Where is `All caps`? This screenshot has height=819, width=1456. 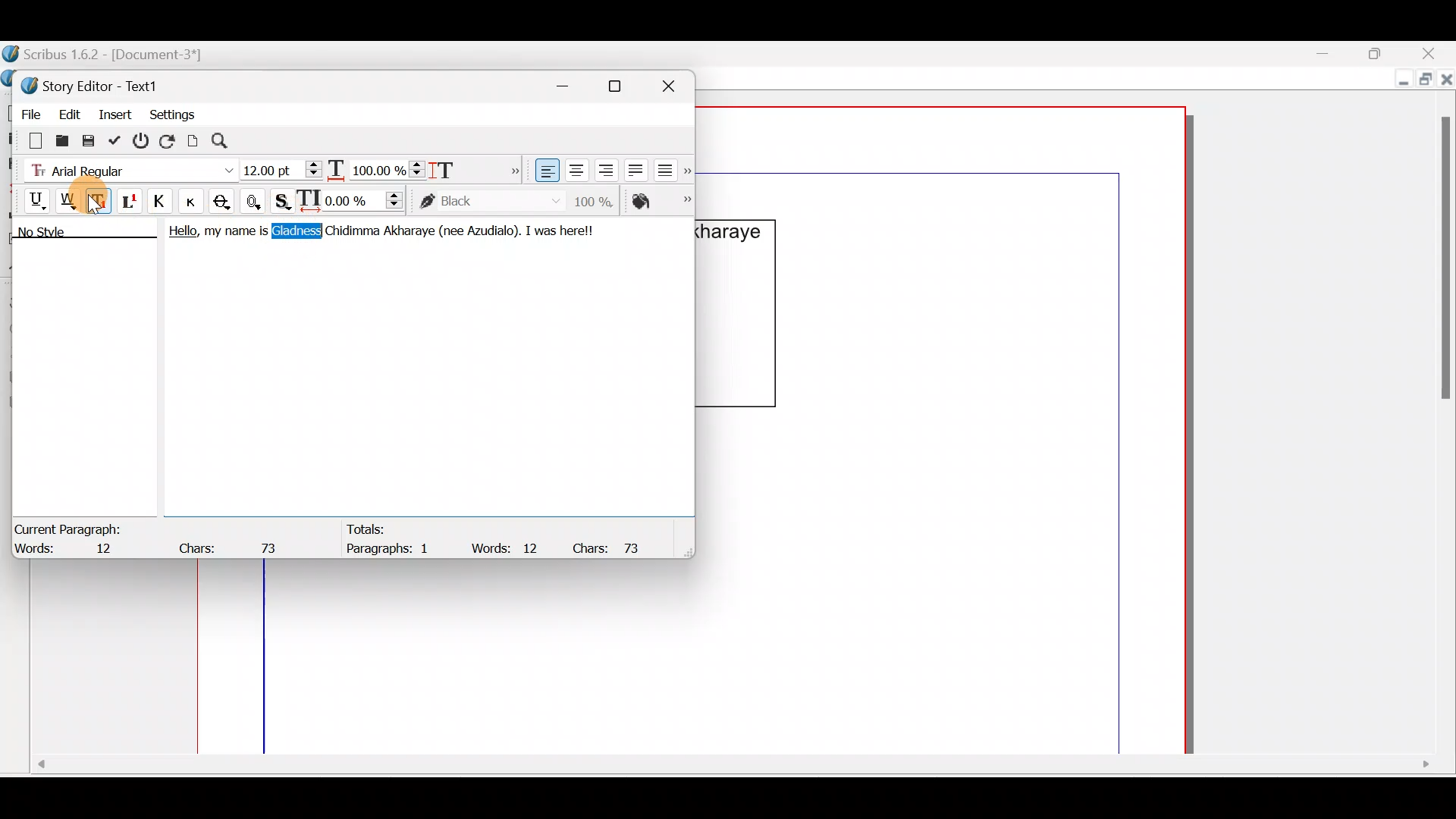
All caps is located at coordinates (163, 203).